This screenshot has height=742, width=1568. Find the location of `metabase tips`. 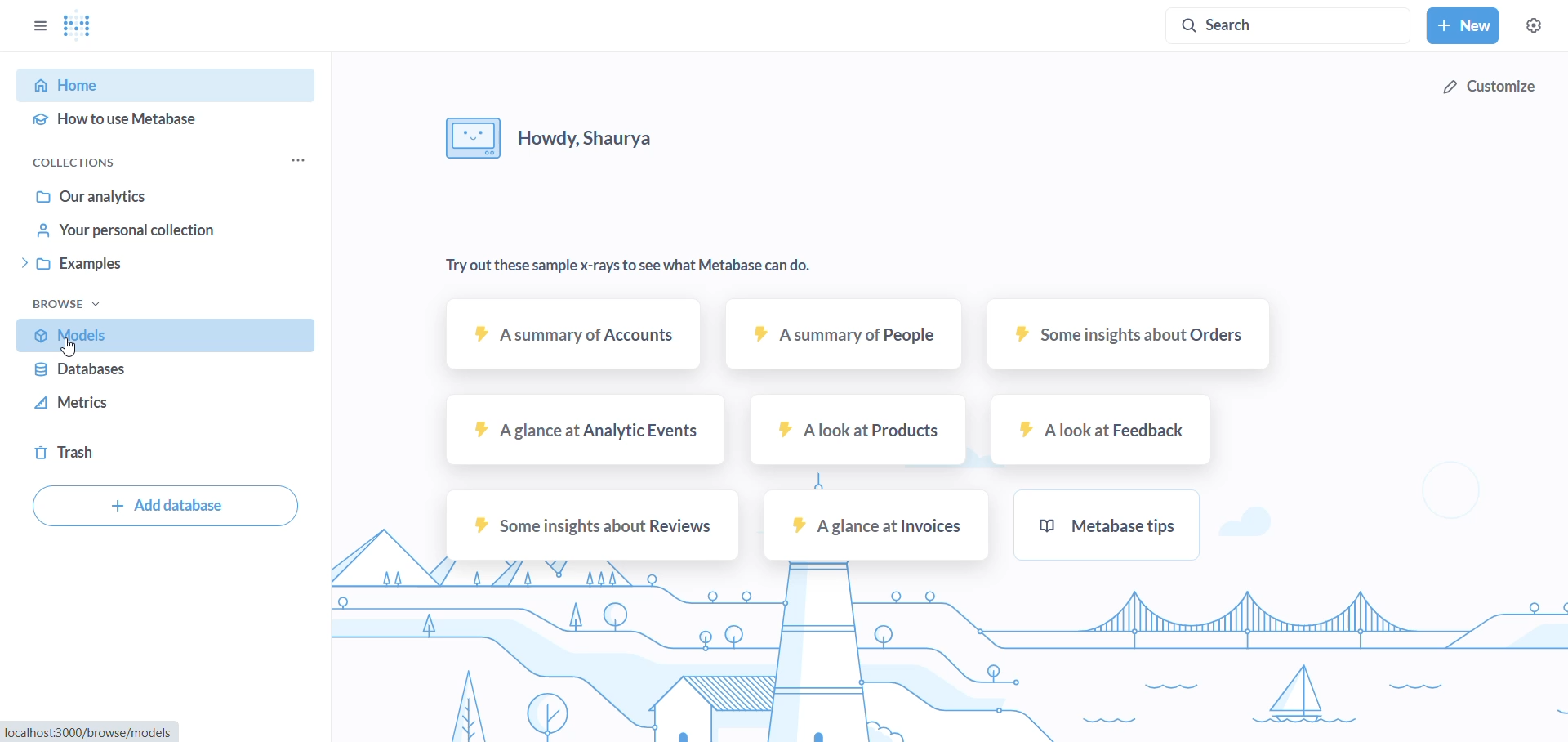

metabase tips is located at coordinates (1108, 524).